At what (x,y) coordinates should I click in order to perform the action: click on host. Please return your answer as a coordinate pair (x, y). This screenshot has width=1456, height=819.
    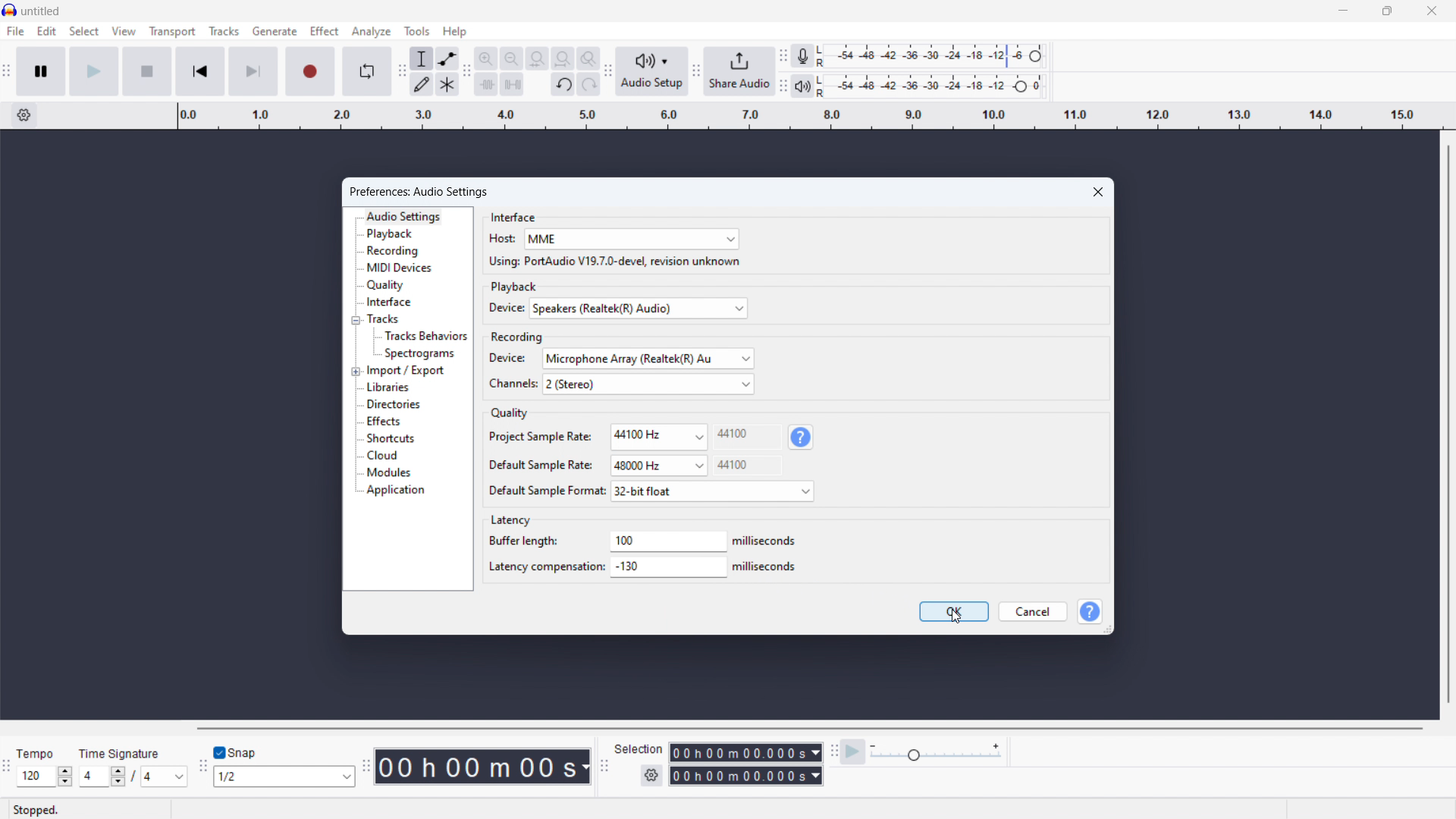
    Looking at the image, I should click on (500, 239).